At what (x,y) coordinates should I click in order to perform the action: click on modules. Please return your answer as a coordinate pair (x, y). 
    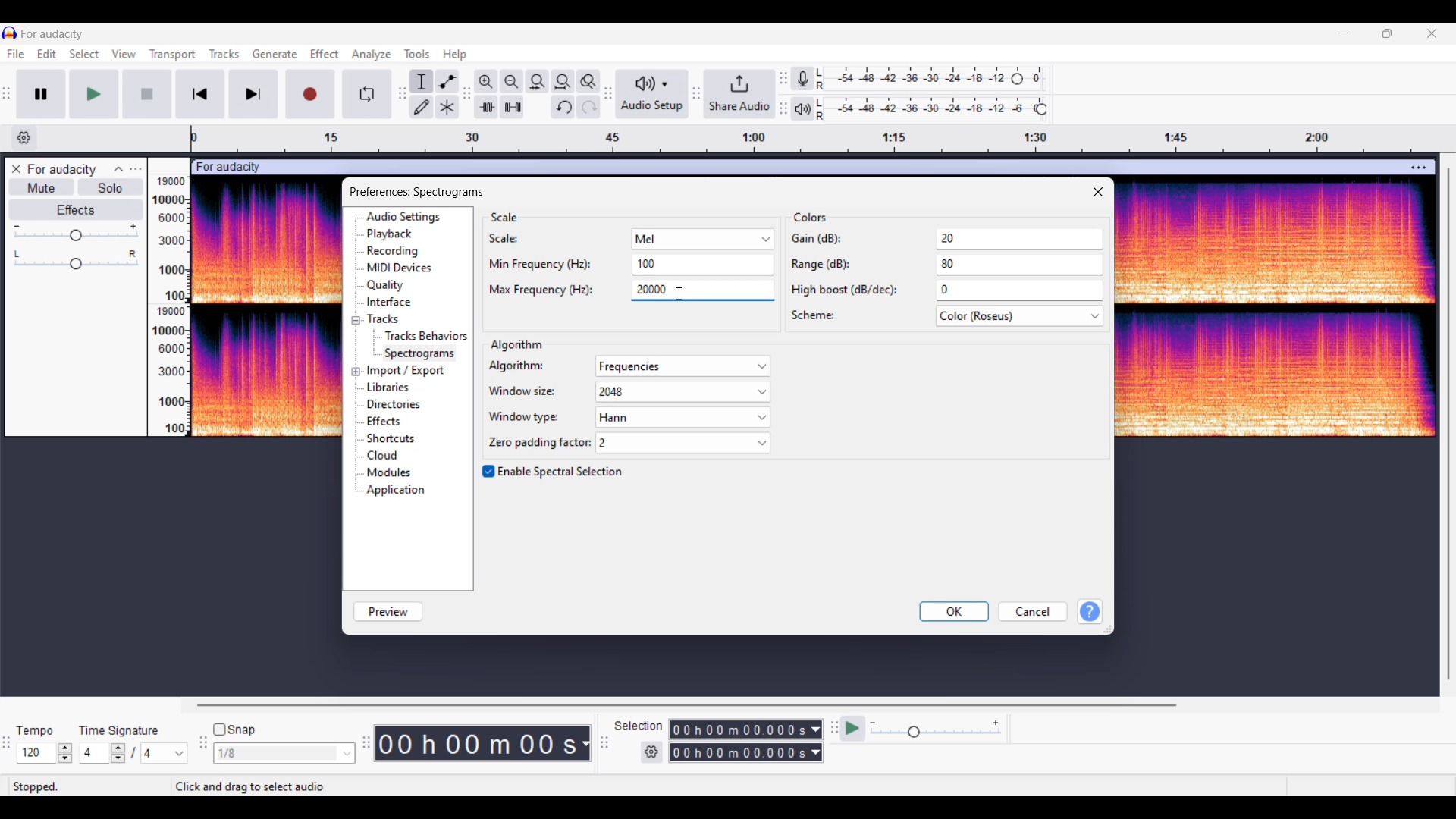
    Looking at the image, I should click on (393, 472).